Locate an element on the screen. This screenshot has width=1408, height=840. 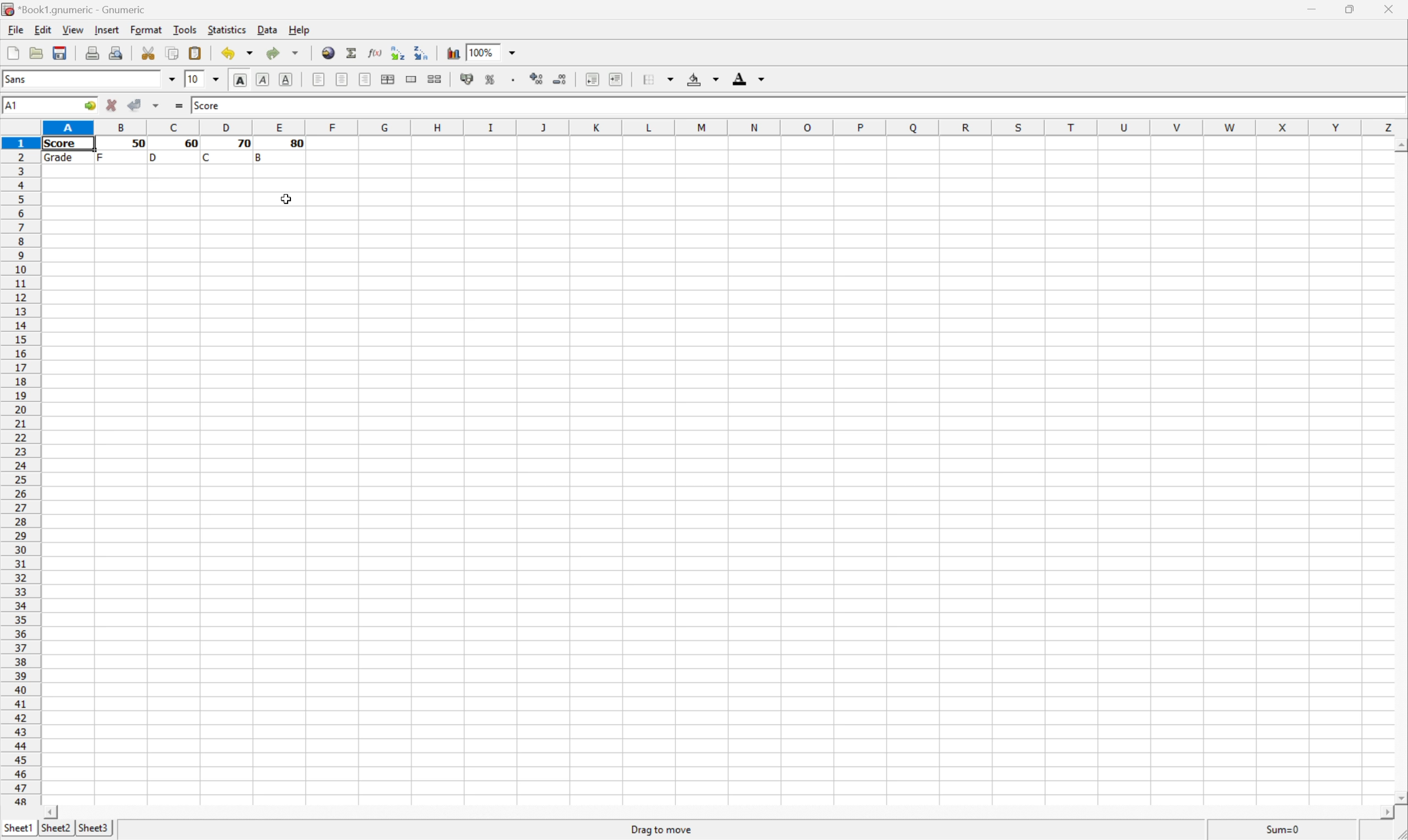
cells is located at coordinates (855, 152).